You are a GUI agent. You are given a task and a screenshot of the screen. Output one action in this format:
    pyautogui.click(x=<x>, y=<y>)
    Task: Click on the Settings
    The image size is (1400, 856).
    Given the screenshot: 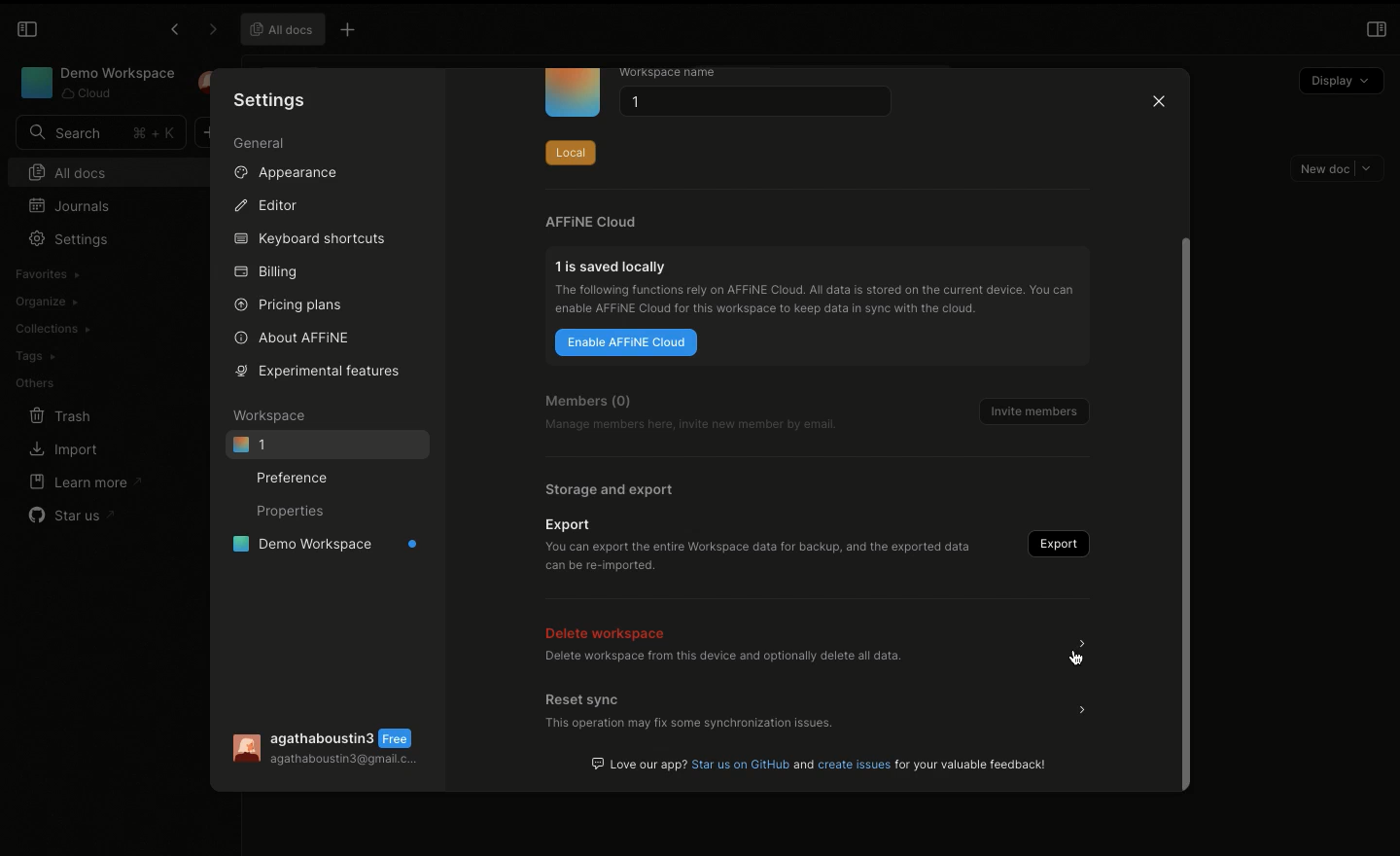 What is the action you would take?
    pyautogui.click(x=270, y=99)
    